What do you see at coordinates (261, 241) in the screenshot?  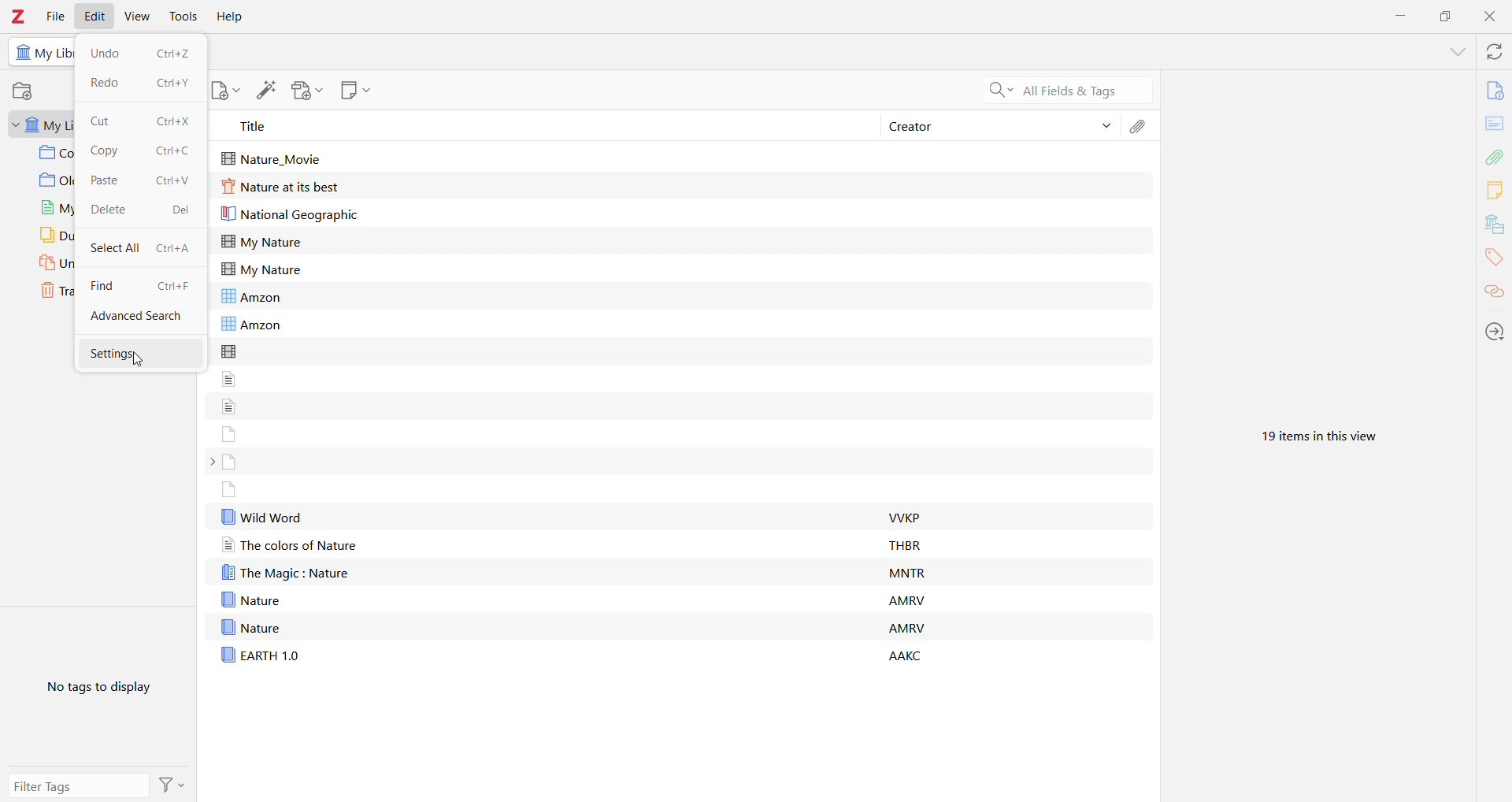 I see `My Nature` at bounding box center [261, 241].